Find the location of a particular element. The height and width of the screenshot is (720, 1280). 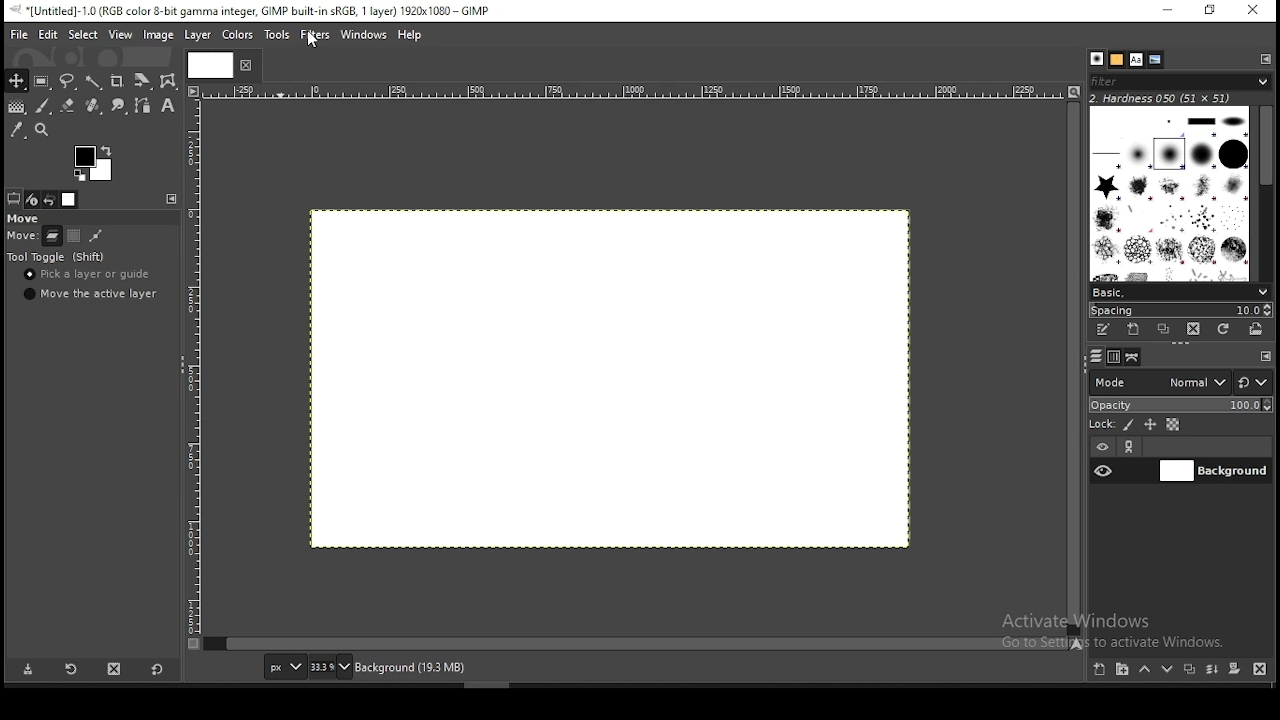

patterns is located at coordinates (1117, 60).